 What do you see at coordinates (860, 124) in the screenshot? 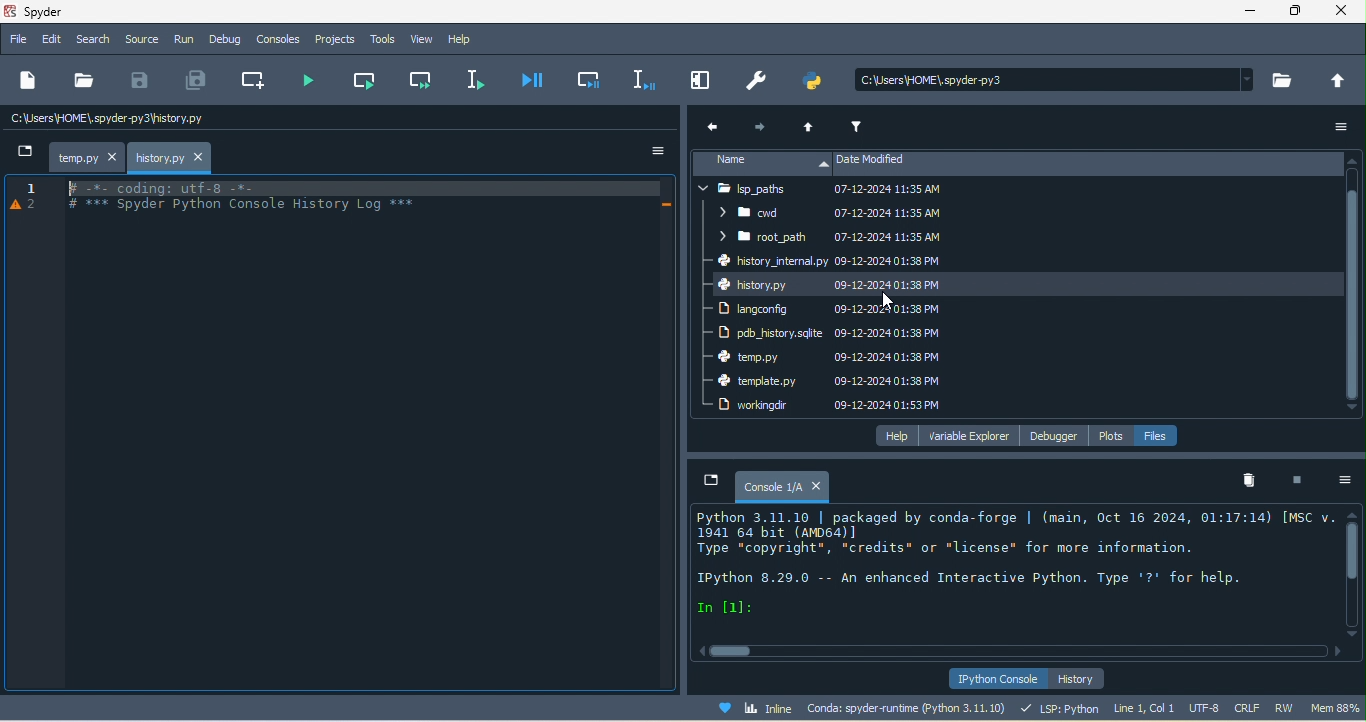
I see `filter` at bounding box center [860, 124].